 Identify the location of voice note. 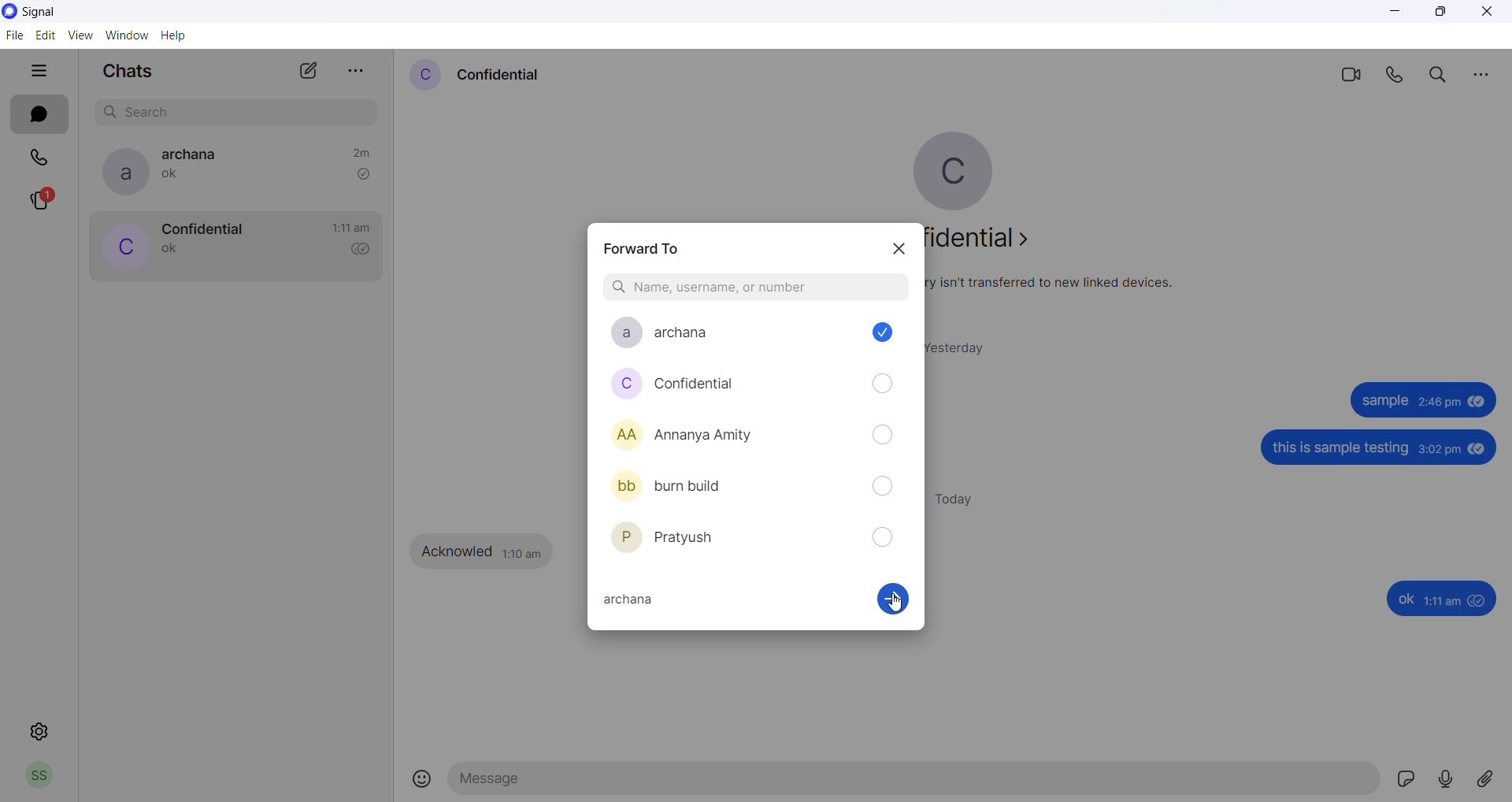
(1449, 779).